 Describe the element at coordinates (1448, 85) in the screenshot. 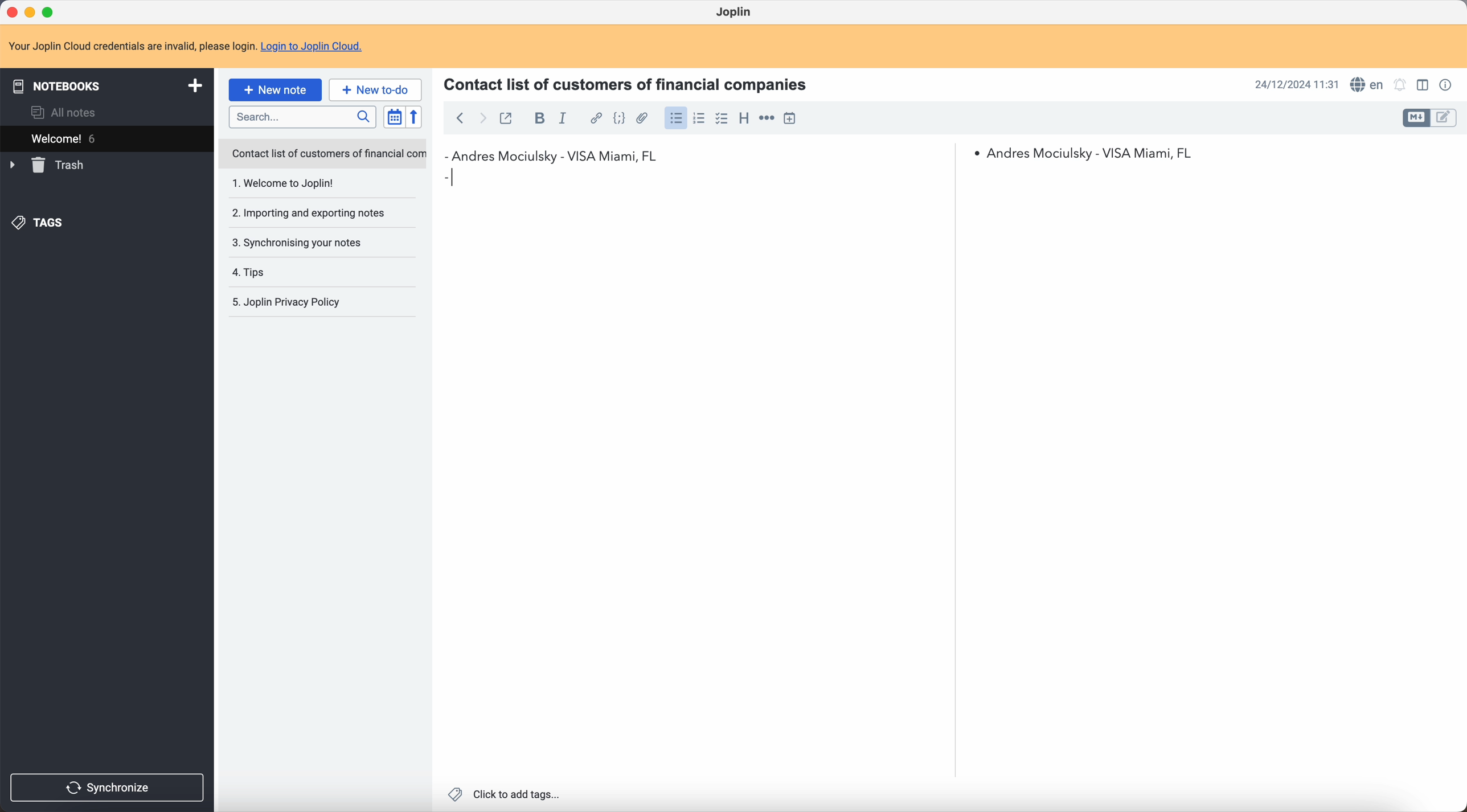

I see `note properties` at that location.